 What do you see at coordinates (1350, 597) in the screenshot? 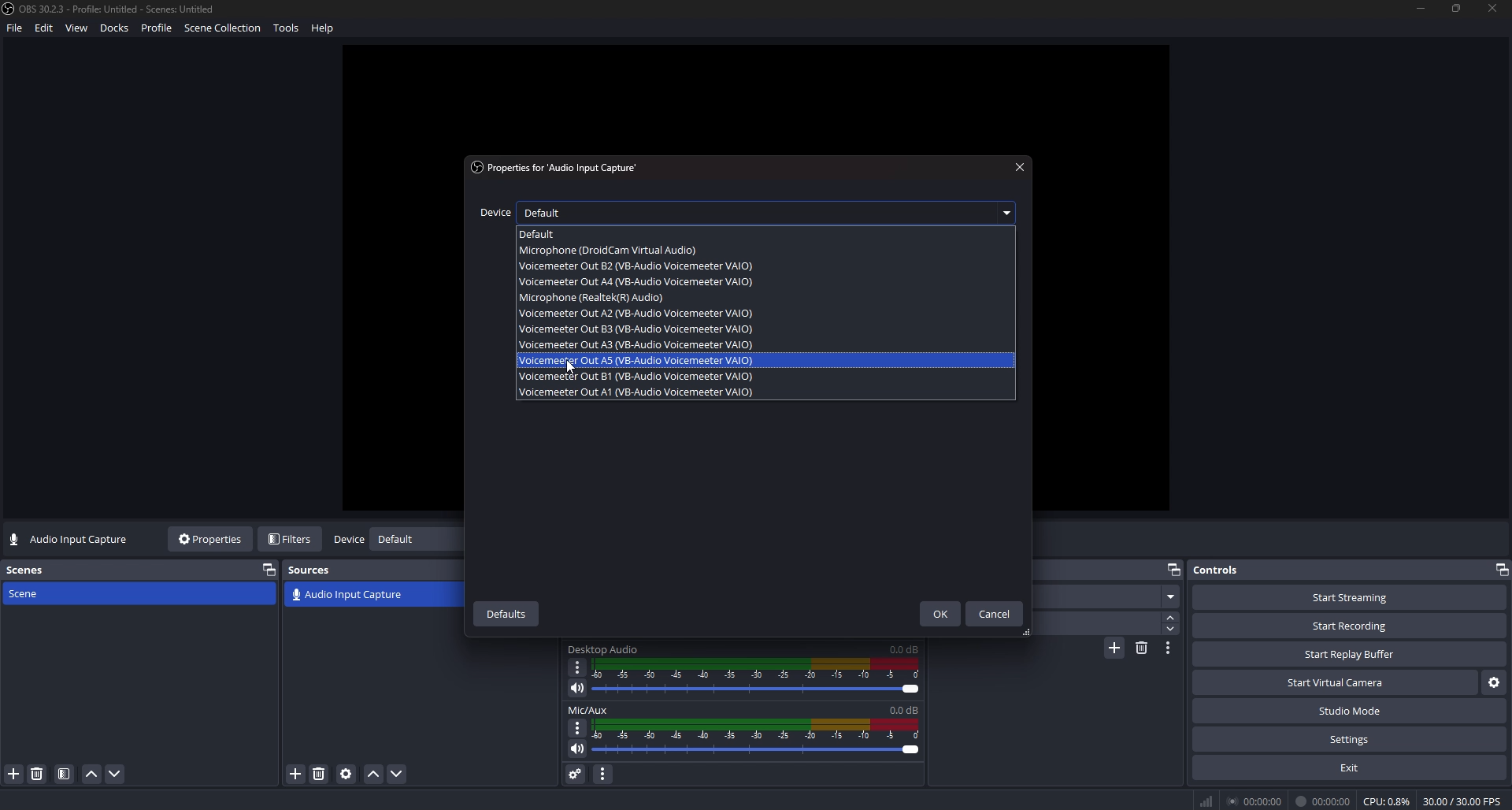
I see `start streaming` at bounding box center [1350, 597].